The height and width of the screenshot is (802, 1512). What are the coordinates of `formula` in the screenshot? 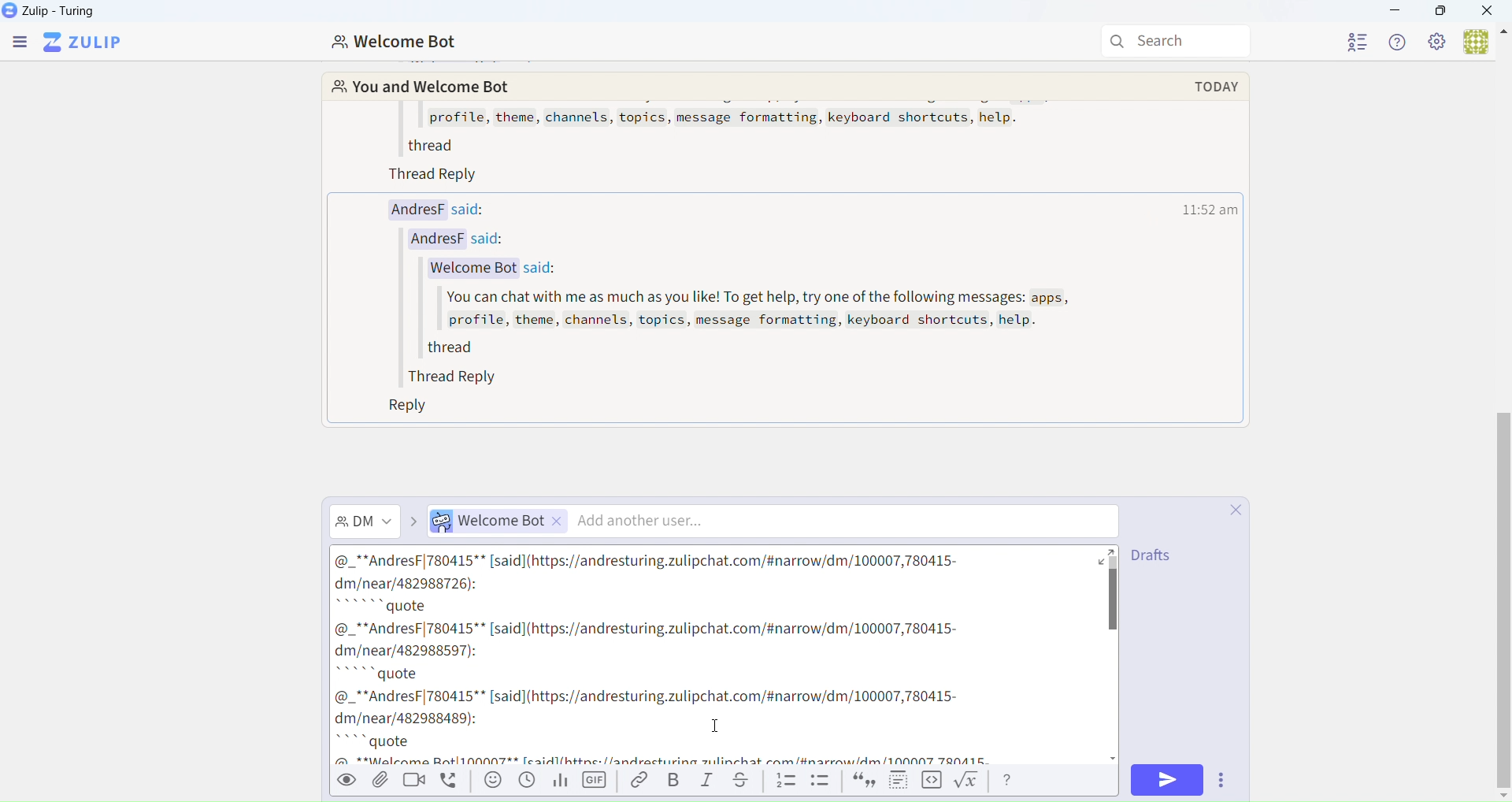 It's located at (970, 782).